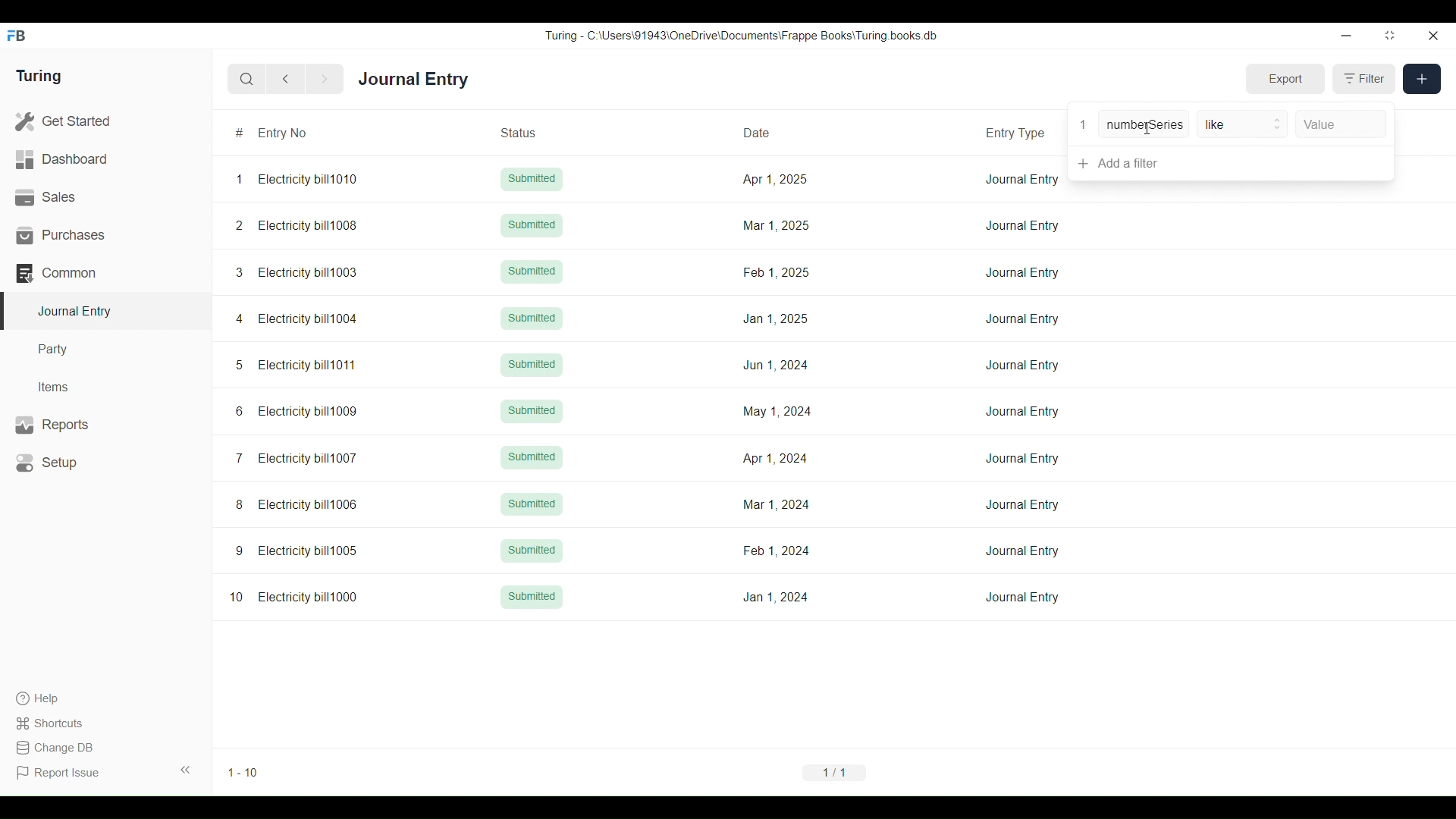  What do you see at coordinates (1022, 365) in the screenshot?
I see `Journal Entry` at bounding box center [1022, 365].